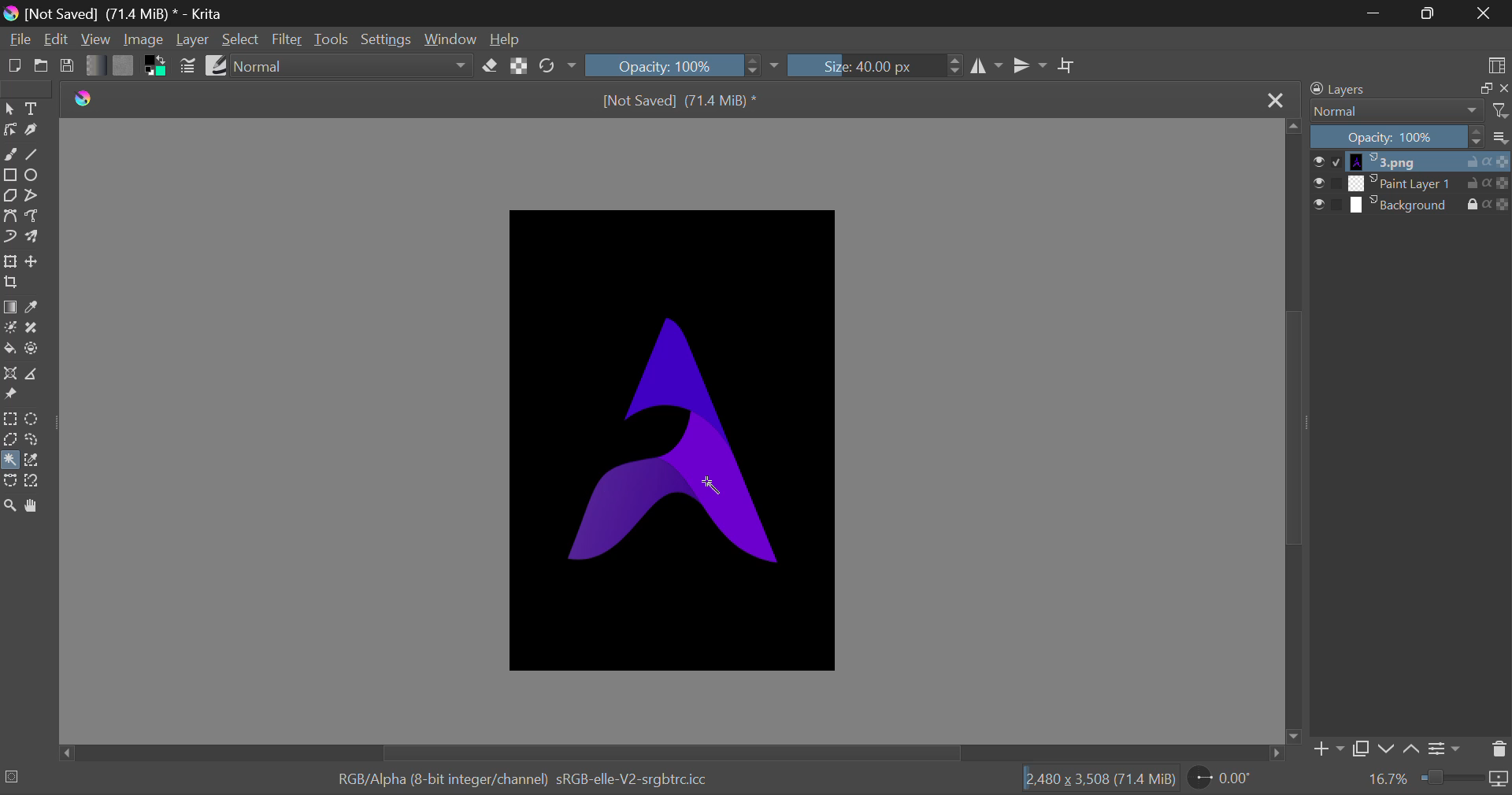 This screenshot has width=1512, height=795. What do you see at coordinates (36, 505) in the screenshot?
I see `Pan` at bounding box center [36, 505].